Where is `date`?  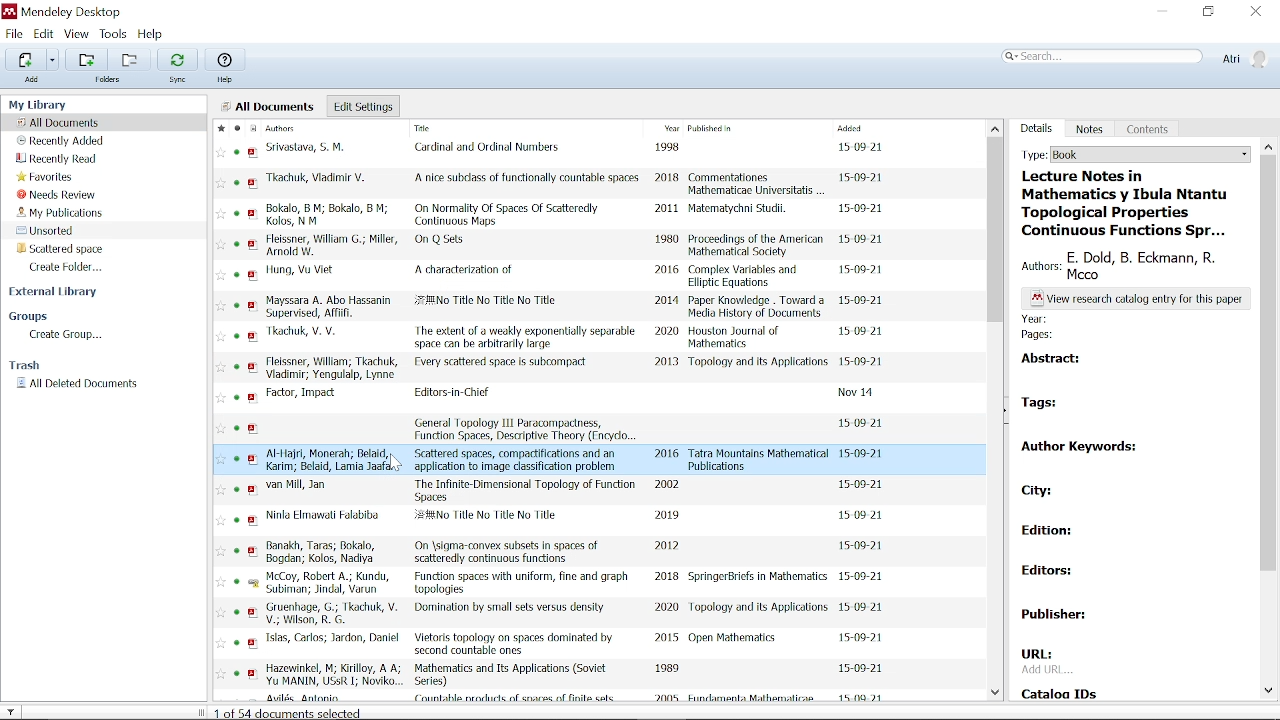
date is located at coordinates (864, 301).